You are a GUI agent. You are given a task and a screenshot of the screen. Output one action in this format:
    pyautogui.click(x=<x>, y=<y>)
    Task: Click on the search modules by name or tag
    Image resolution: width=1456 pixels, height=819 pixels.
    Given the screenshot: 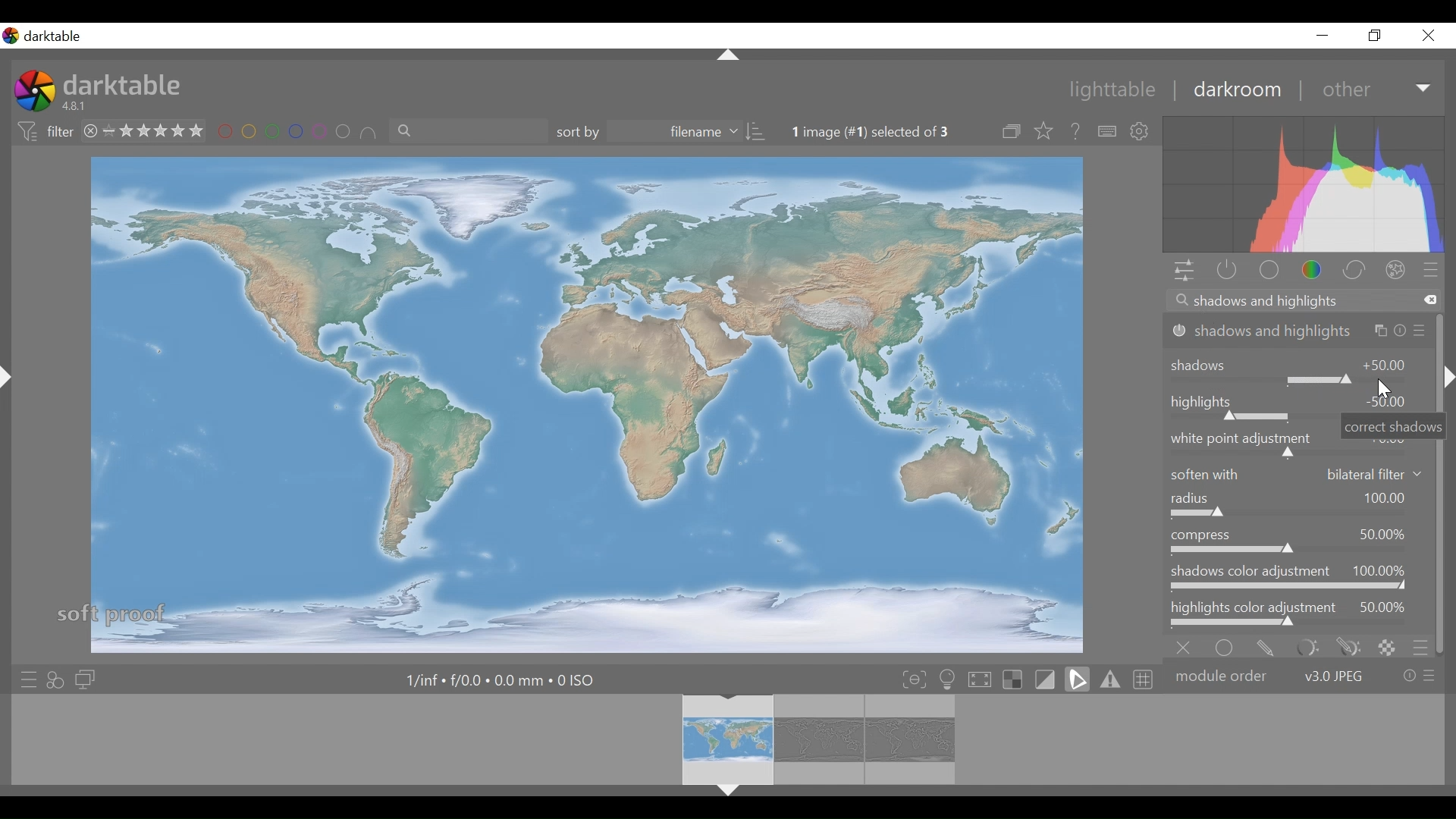 What is the action you would take?
    pyautogui.click(x=1300, y=301)
    